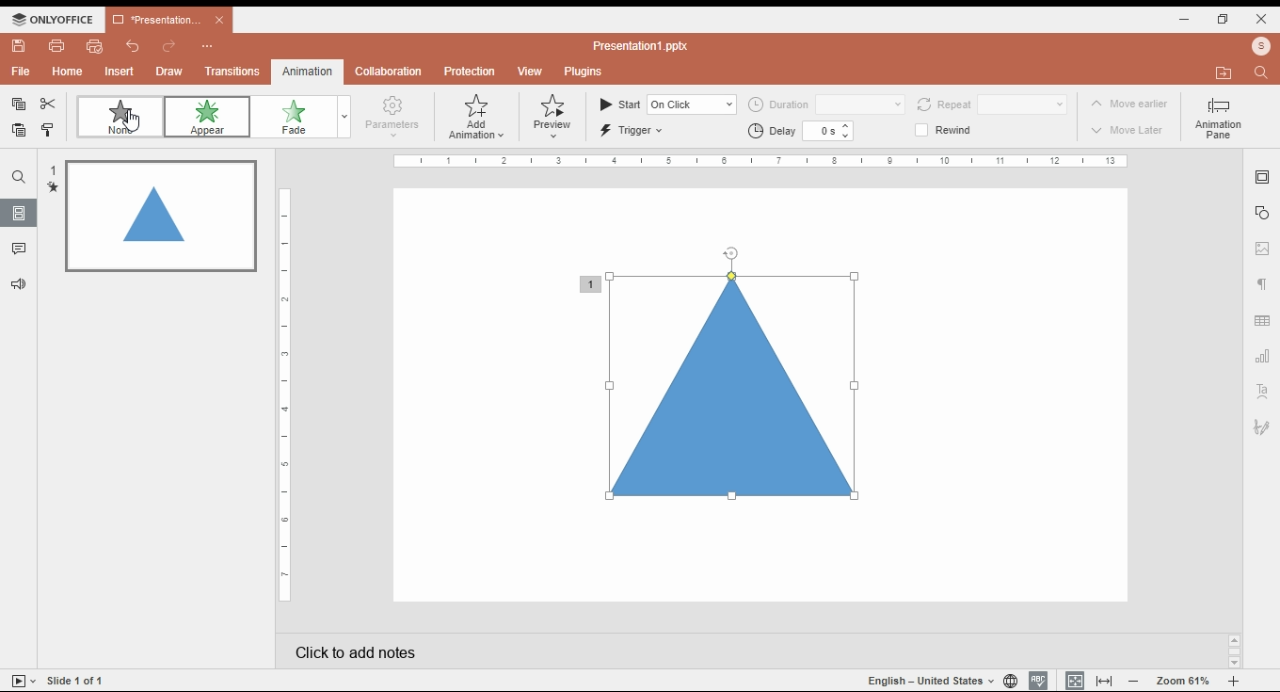 This screenshot has width=1280, height=692. What do you see at coordinates (716, 384) in the screenshot?
I see `shape (animated)` at bounding box center [716, 384].